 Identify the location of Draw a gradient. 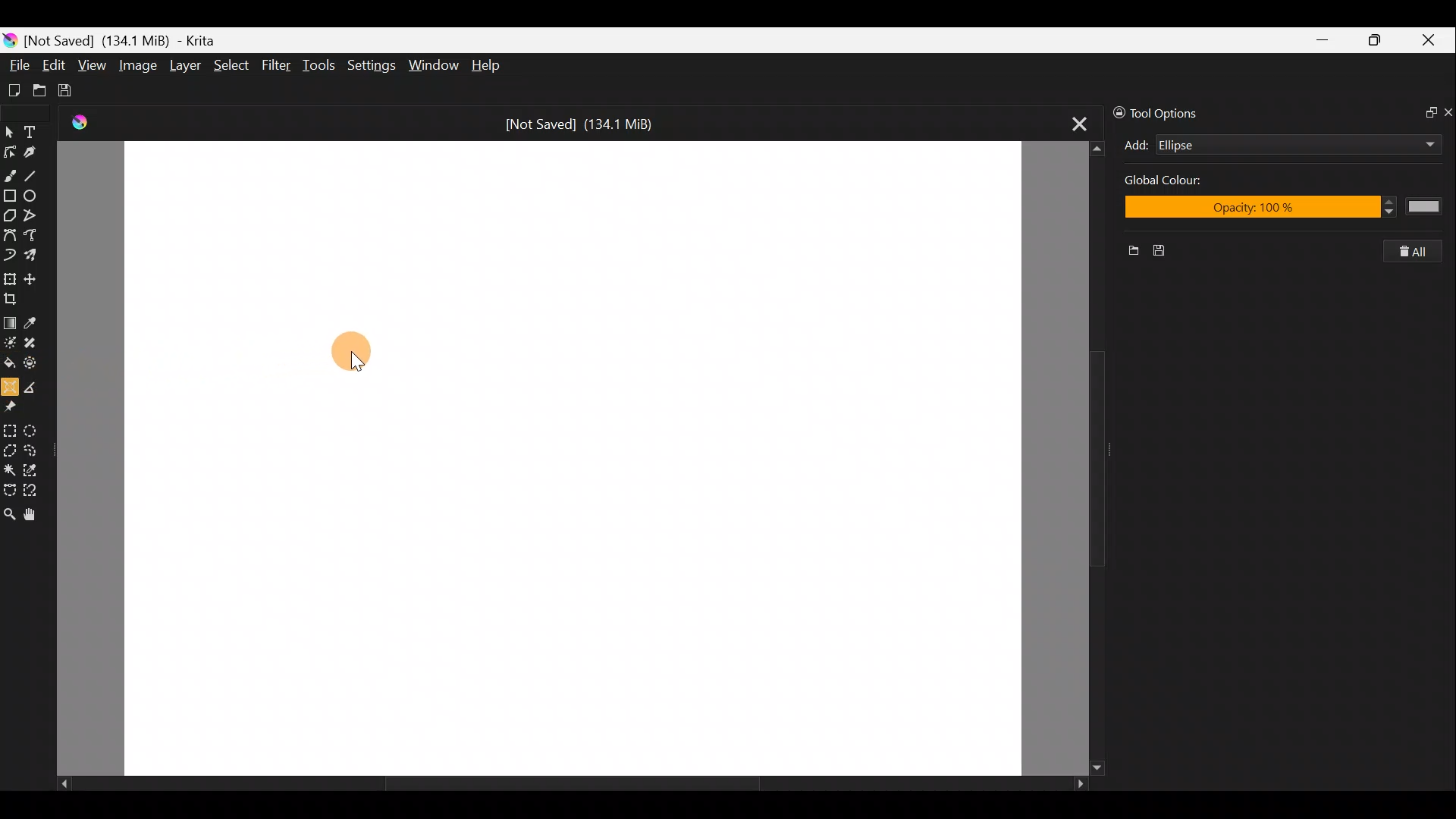
(10, 322).